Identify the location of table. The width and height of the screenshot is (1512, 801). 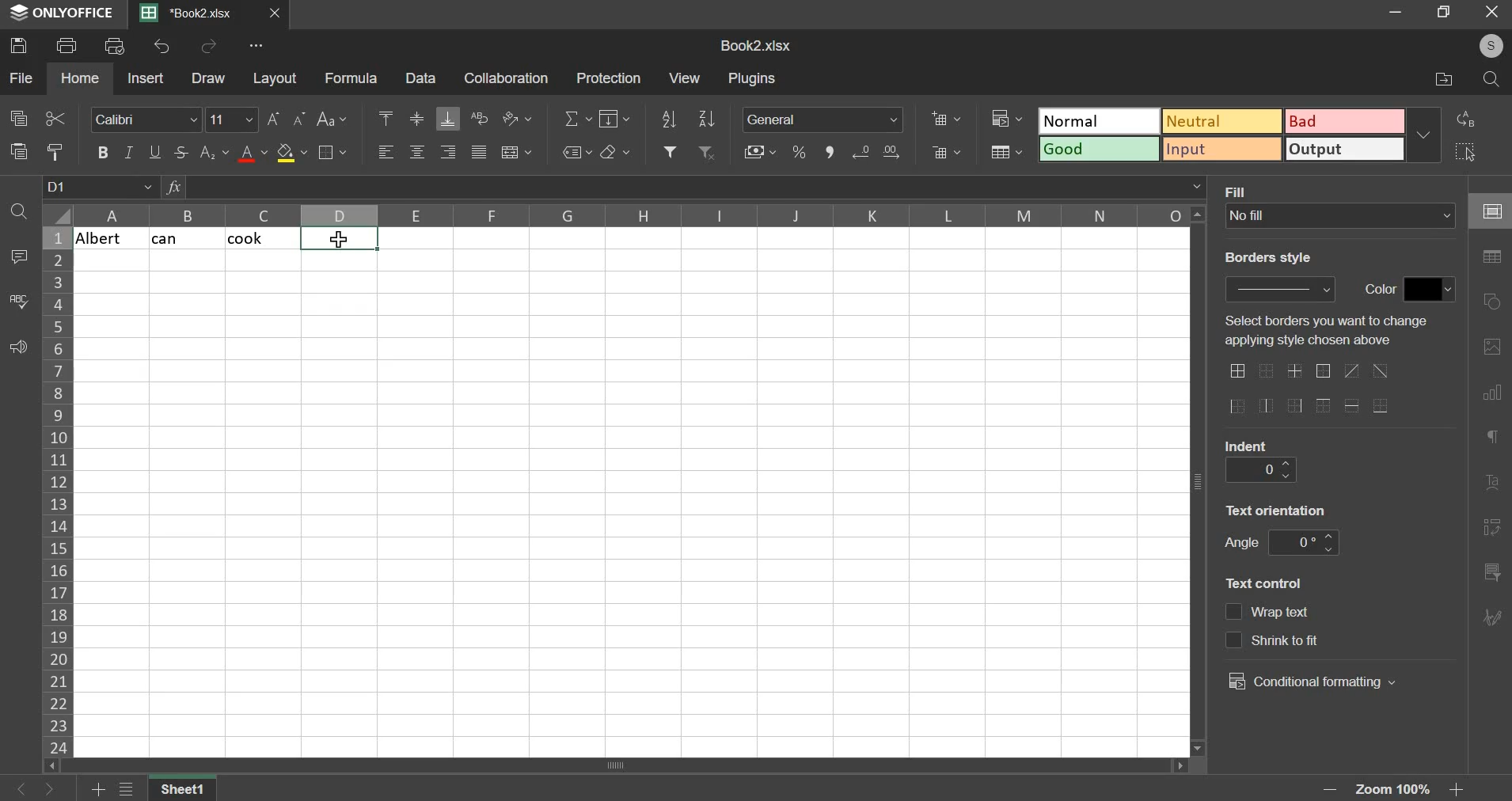
(1492, 257).